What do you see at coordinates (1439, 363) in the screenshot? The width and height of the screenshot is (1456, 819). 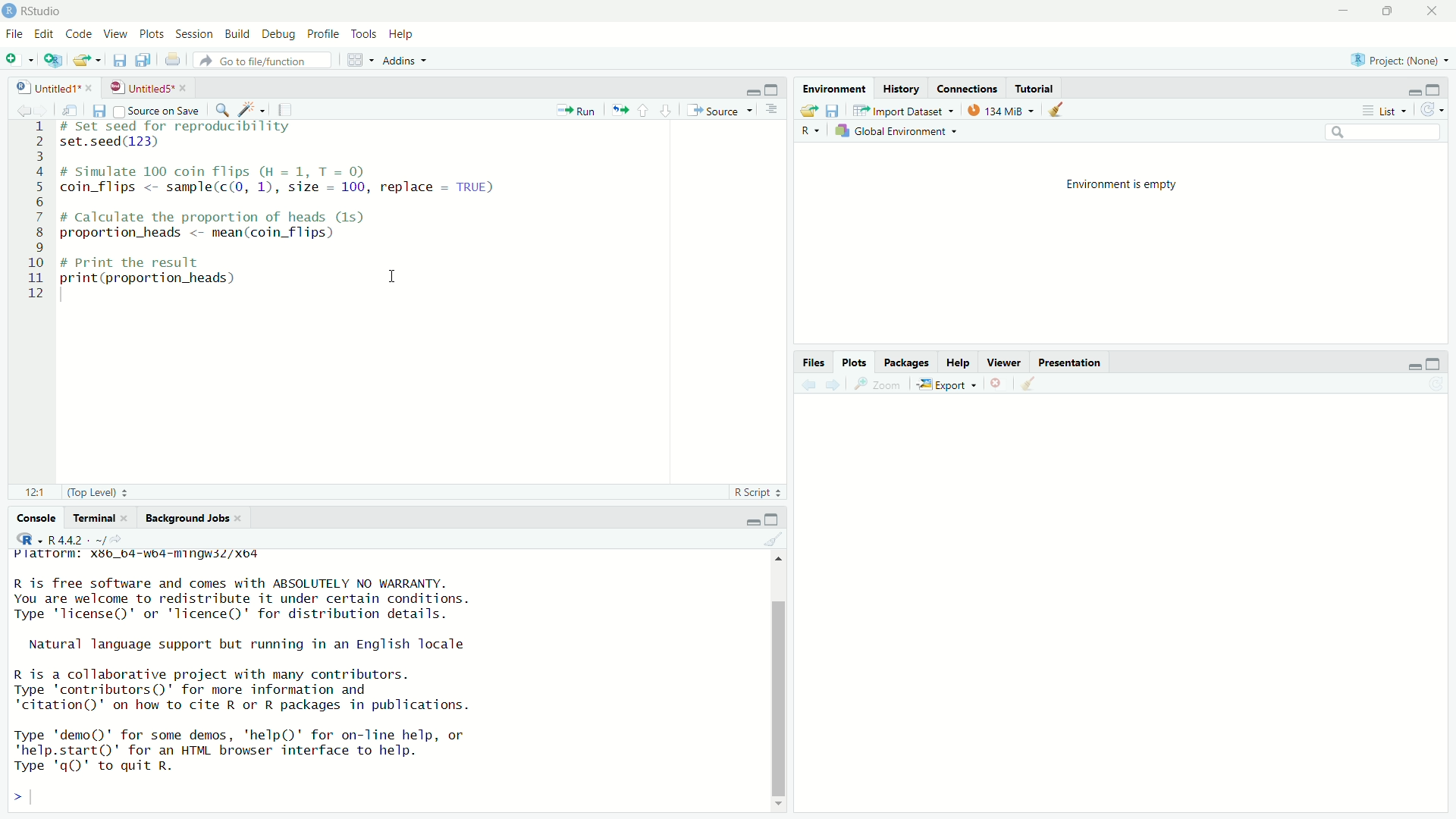 I see `maximize` at bounding box center [1439, 363].